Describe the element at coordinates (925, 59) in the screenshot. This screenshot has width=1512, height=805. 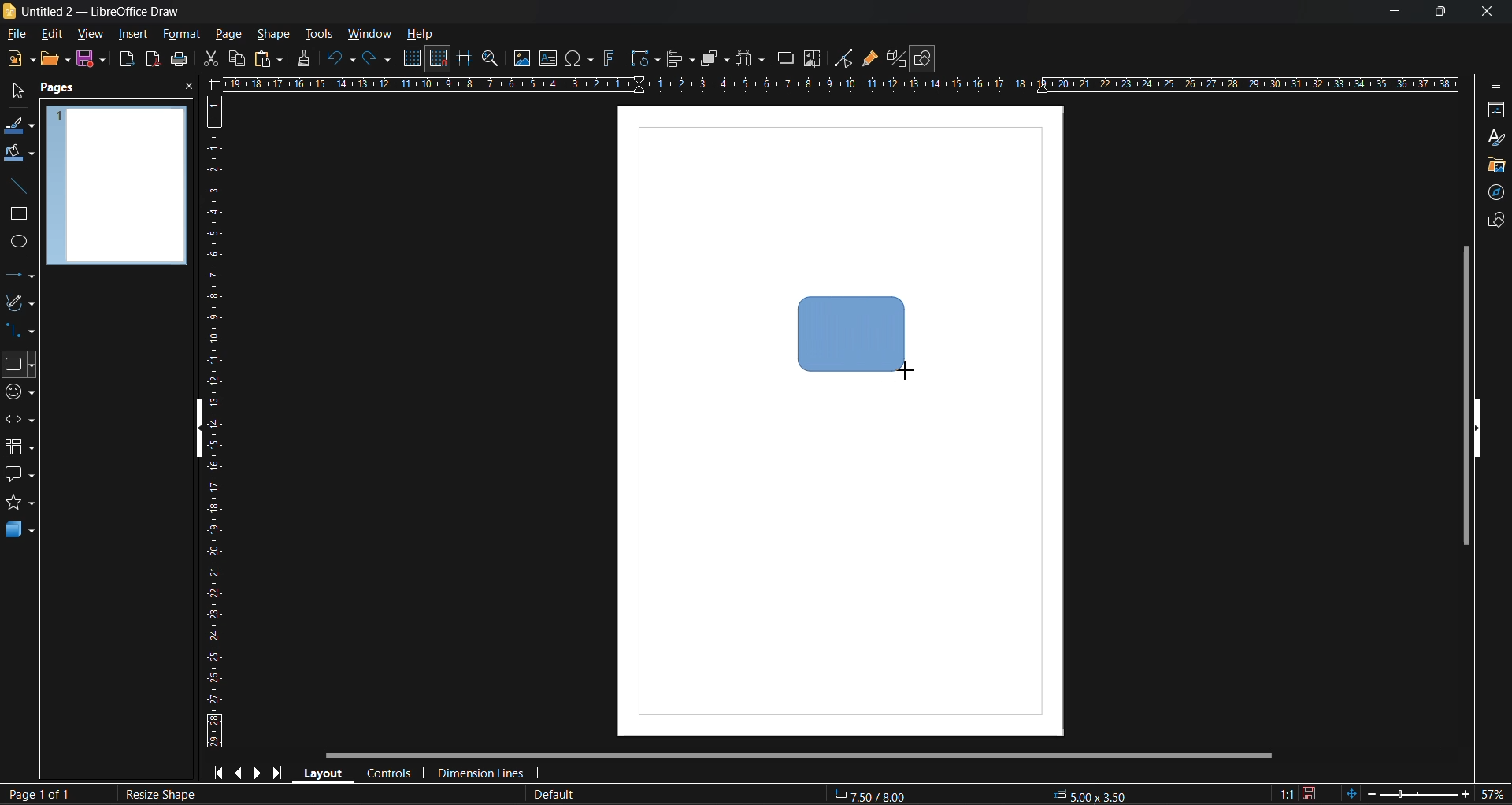
I see `show draw functions` at that location.